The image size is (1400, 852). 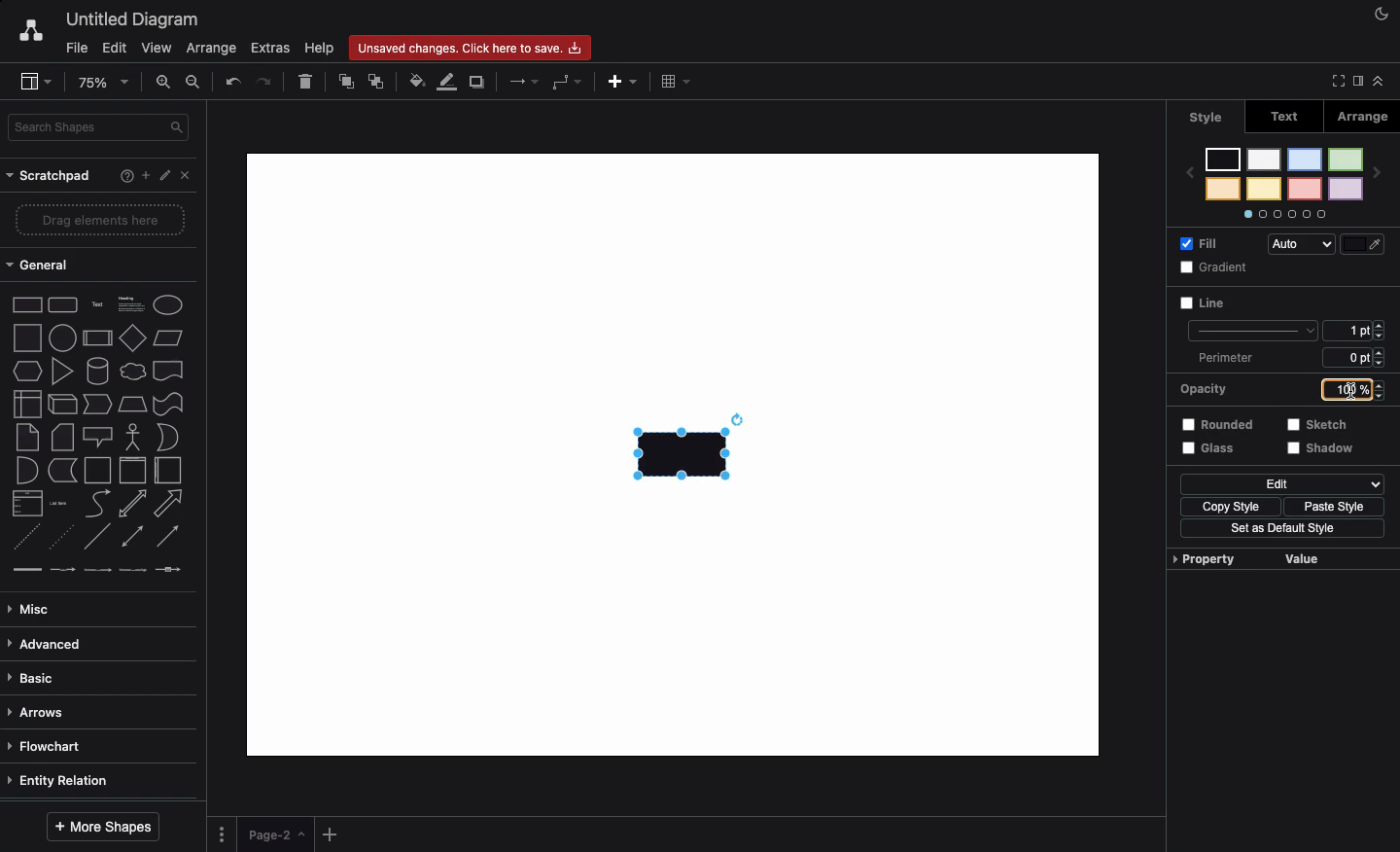 I want to click on arrow, so click(x=169, y=506).